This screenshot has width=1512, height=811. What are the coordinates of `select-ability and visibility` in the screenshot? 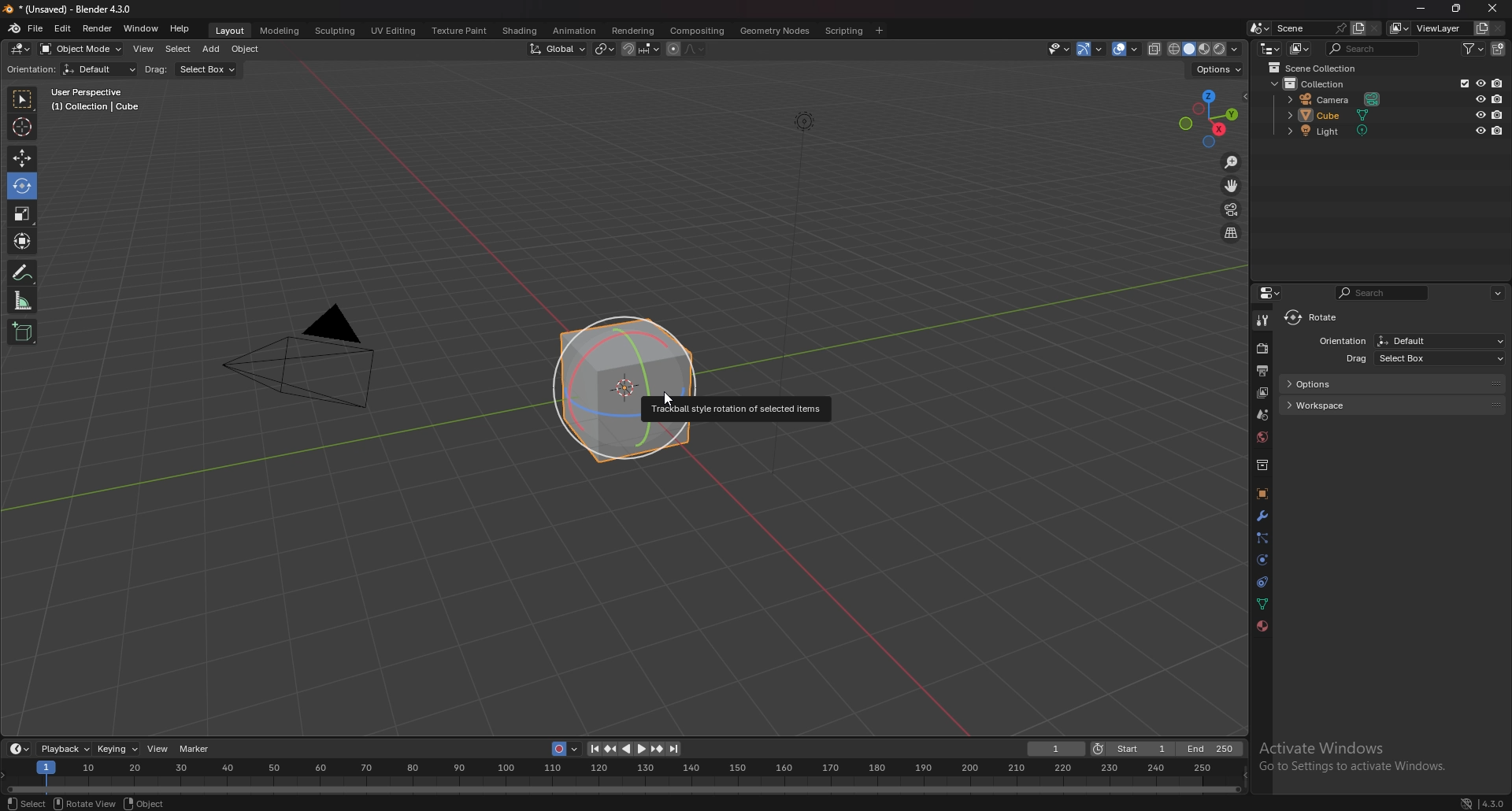 It's located at (1058, 48).